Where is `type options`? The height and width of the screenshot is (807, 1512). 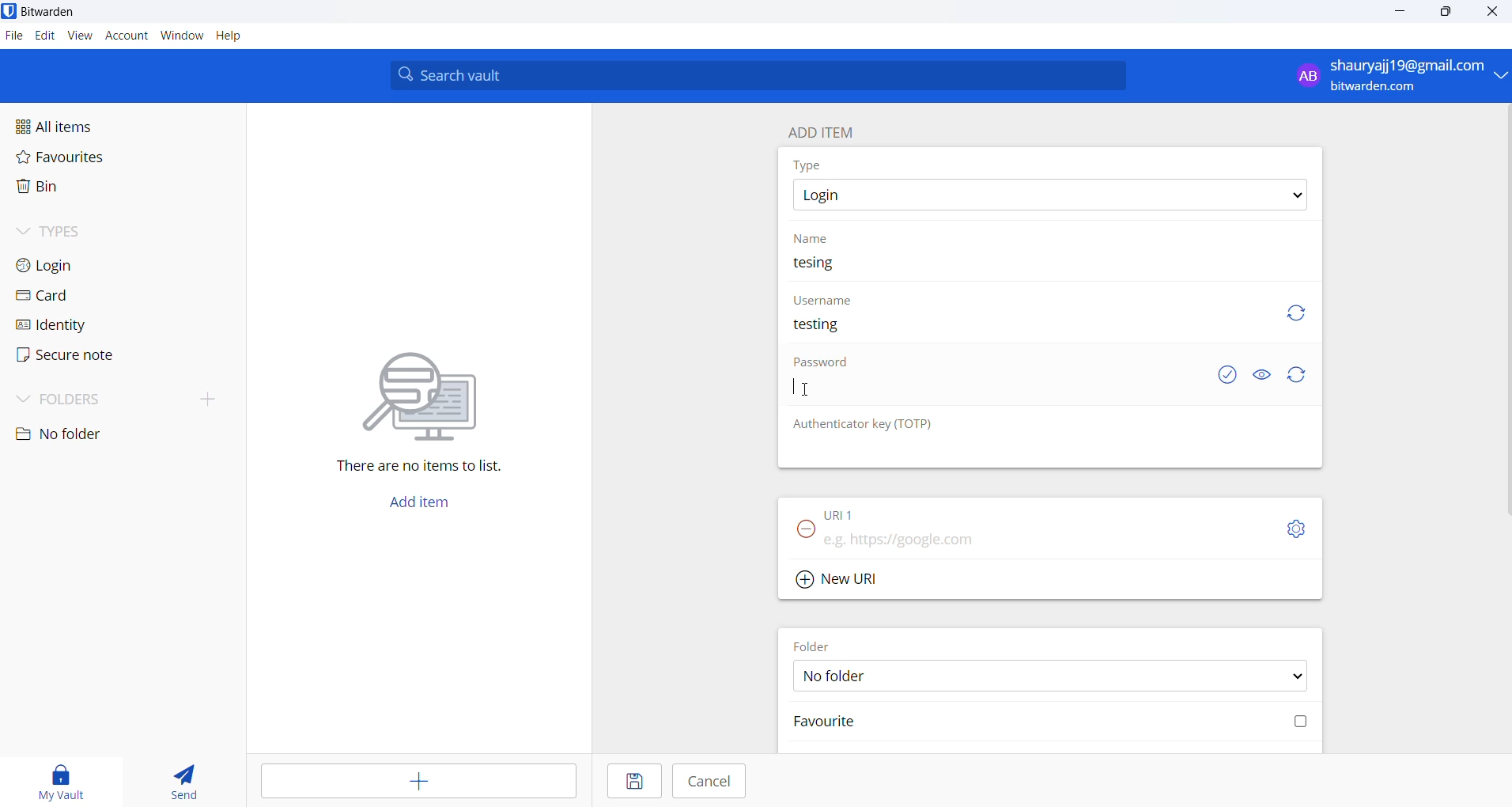 type options is located at coordinates (1054, 196).